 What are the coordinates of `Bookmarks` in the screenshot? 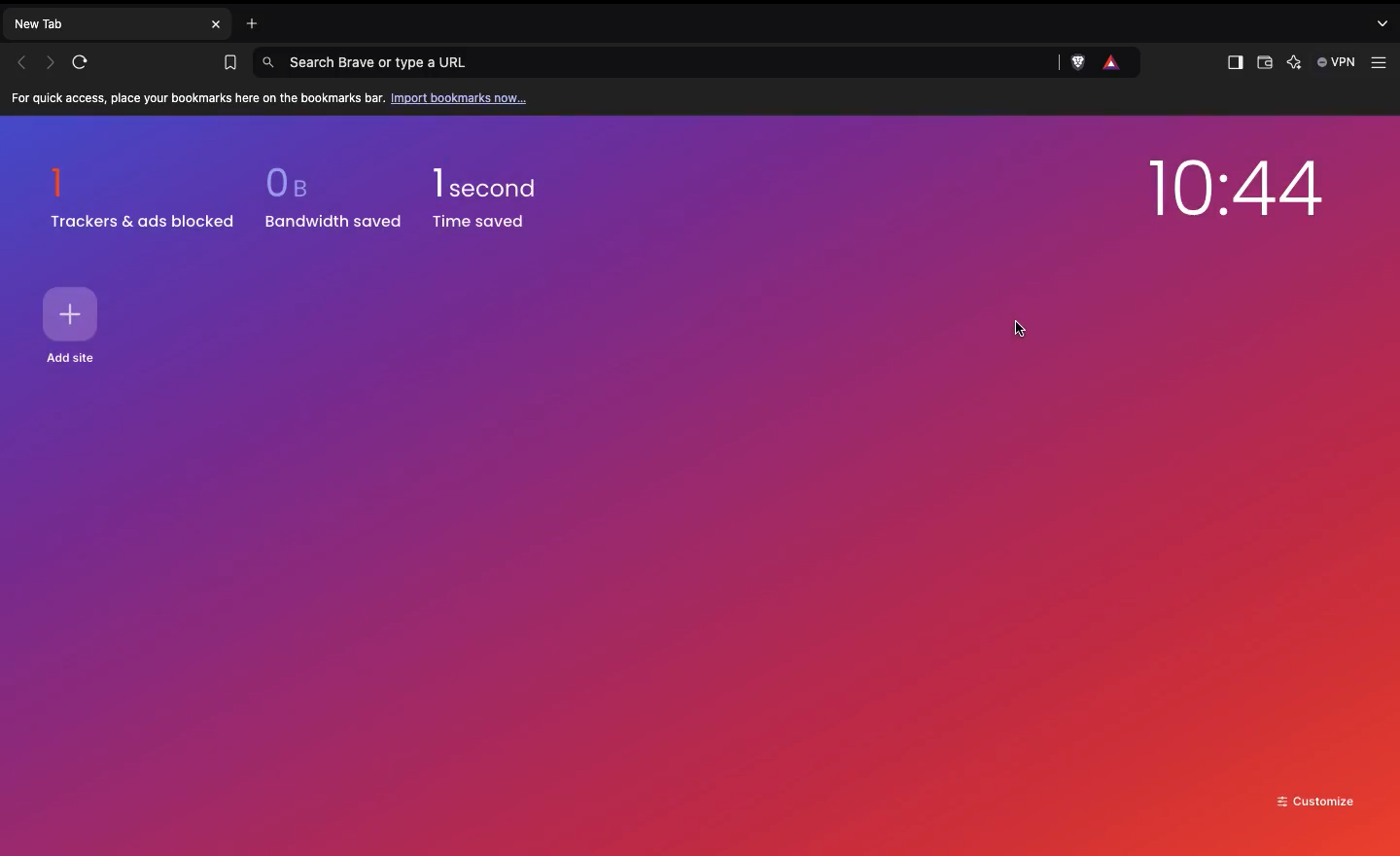 It's located at (226, 63).